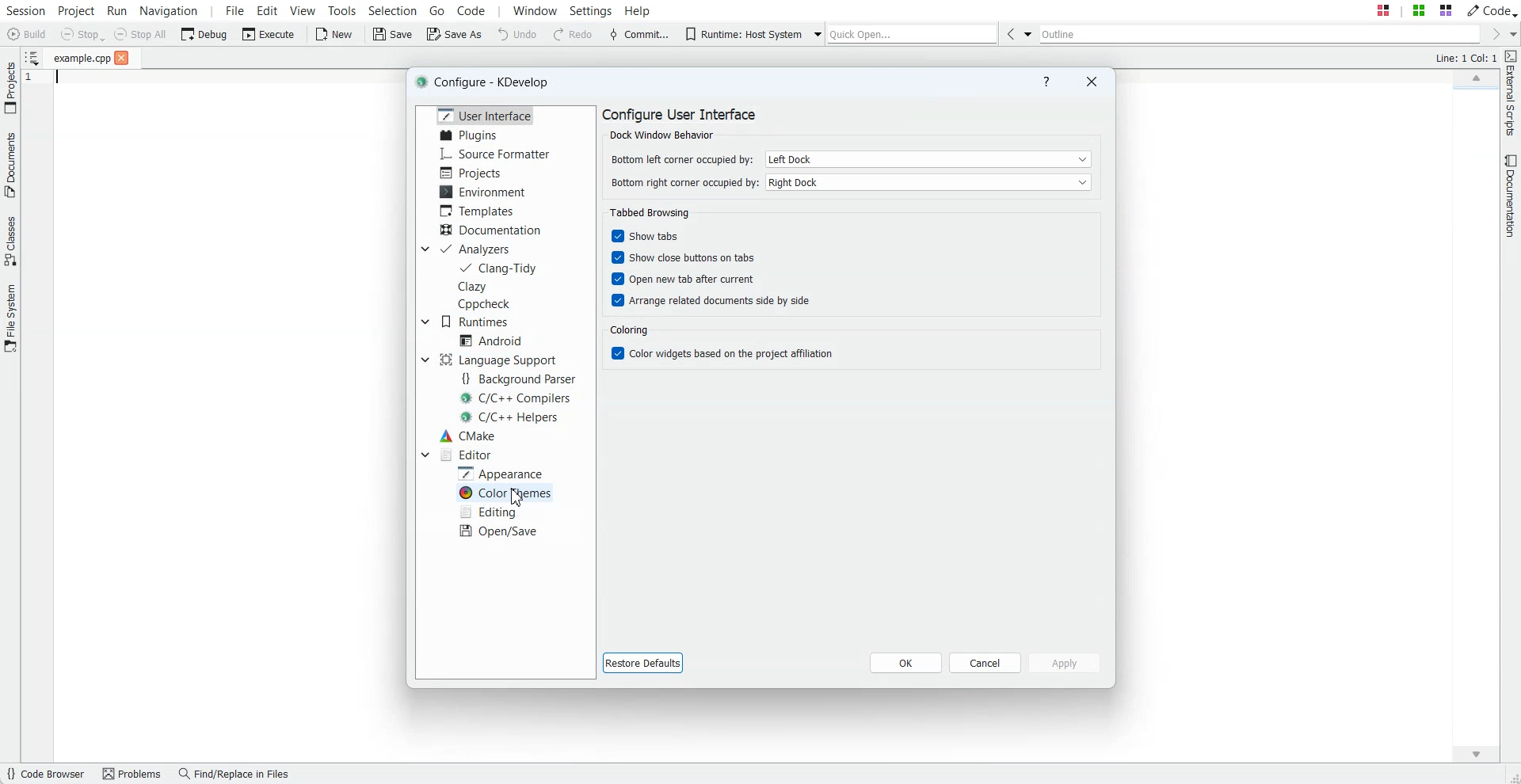 The width and height of the screenshot is (1521, 784). Describe the element at coordinates (425, 322) in the screenshot. I see `Drop Down box` at that location.